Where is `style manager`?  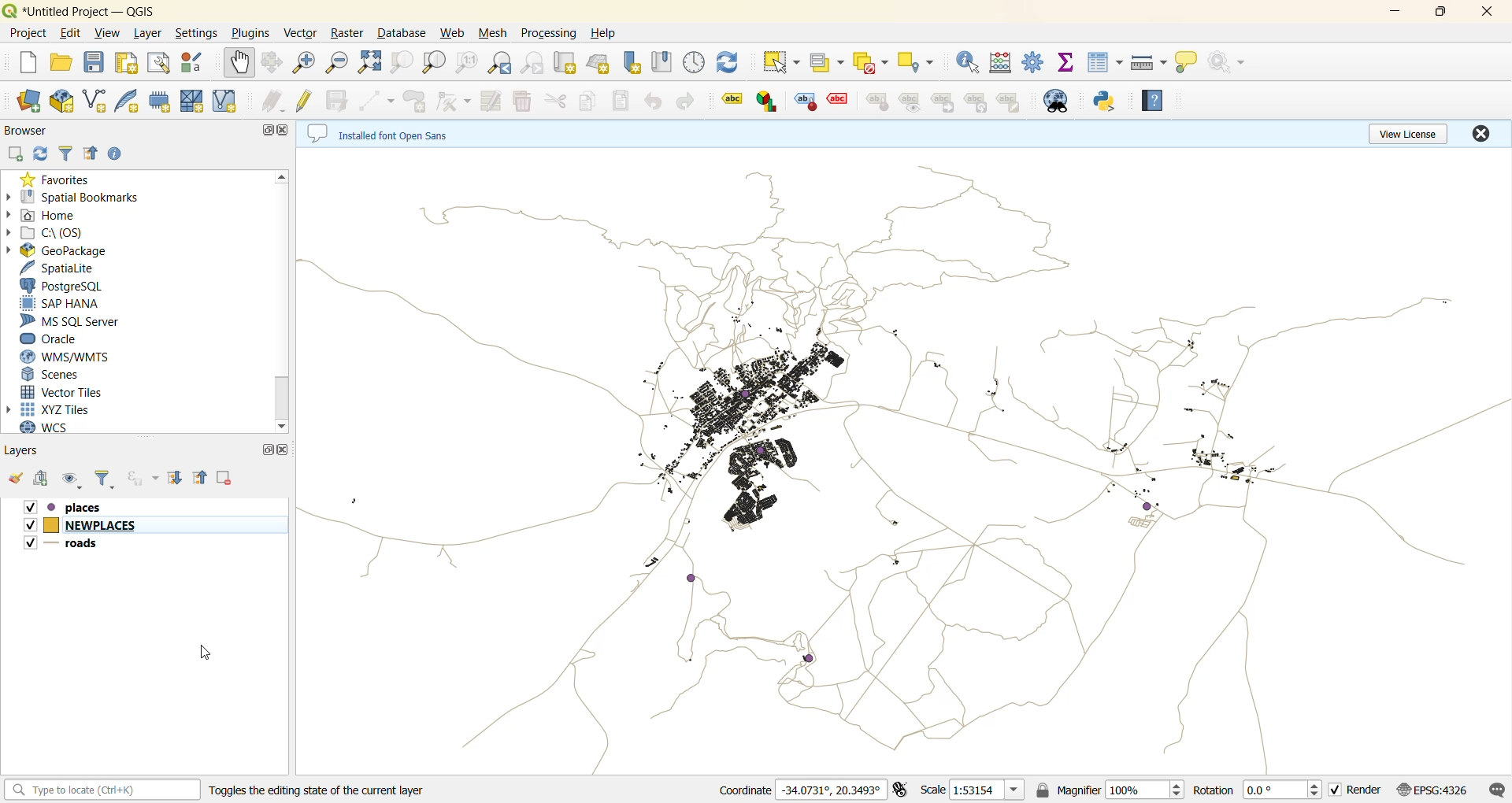 style manager is located at coordinates (197, 64).